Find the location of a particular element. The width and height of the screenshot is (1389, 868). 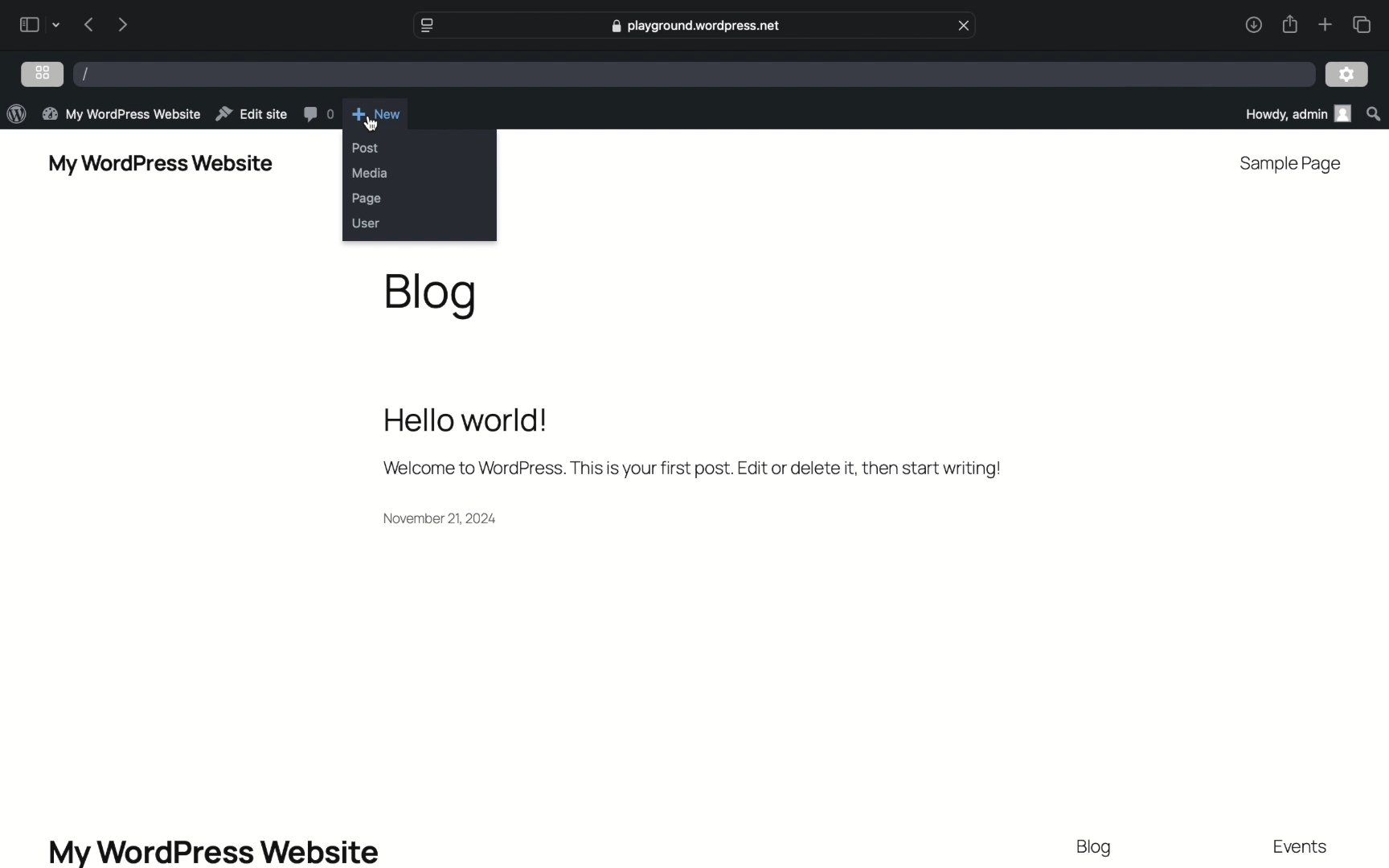

blog is located at coordinates (1097, 849).